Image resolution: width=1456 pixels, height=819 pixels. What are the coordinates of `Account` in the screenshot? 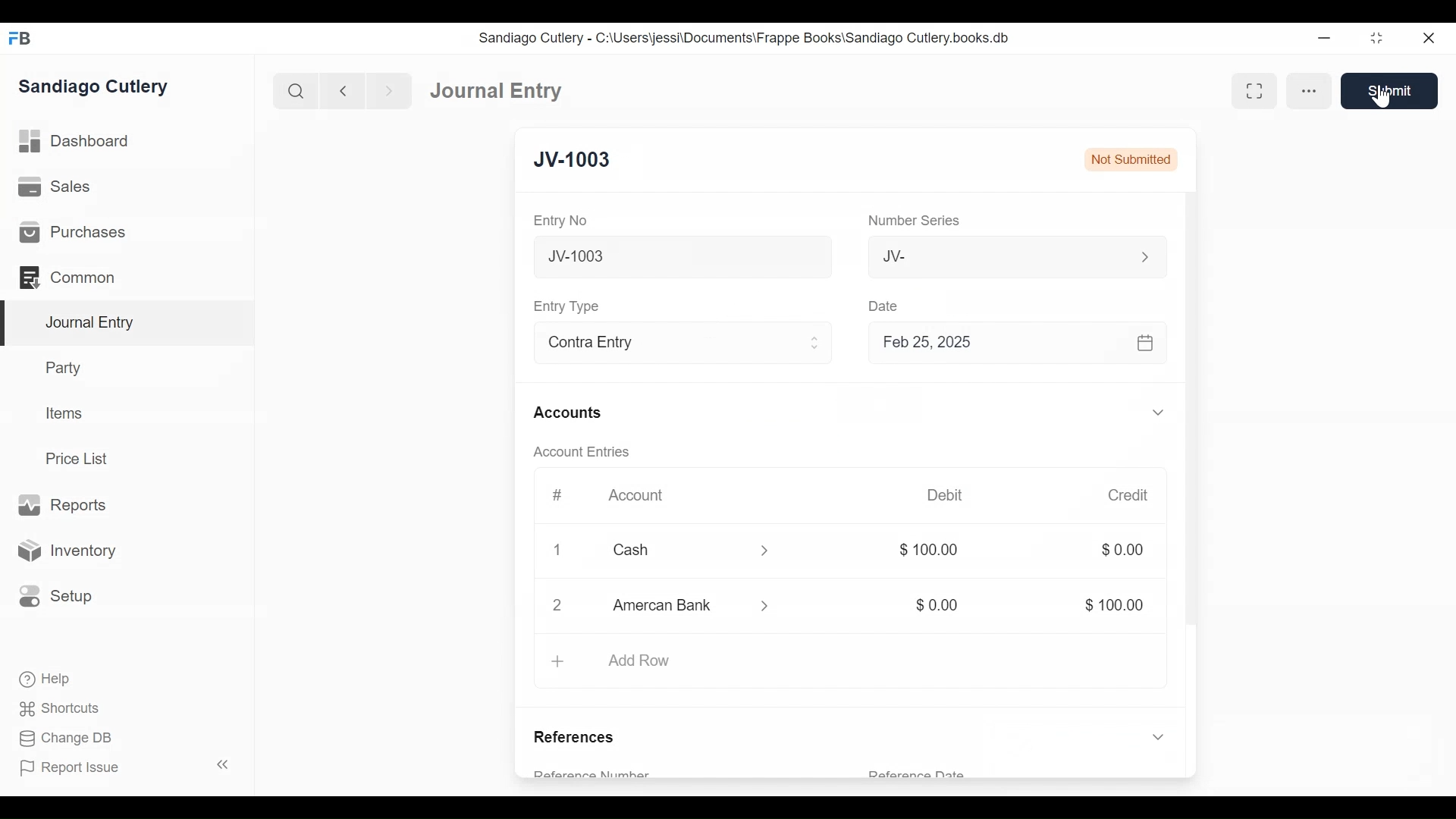 It's located at (638, 497).